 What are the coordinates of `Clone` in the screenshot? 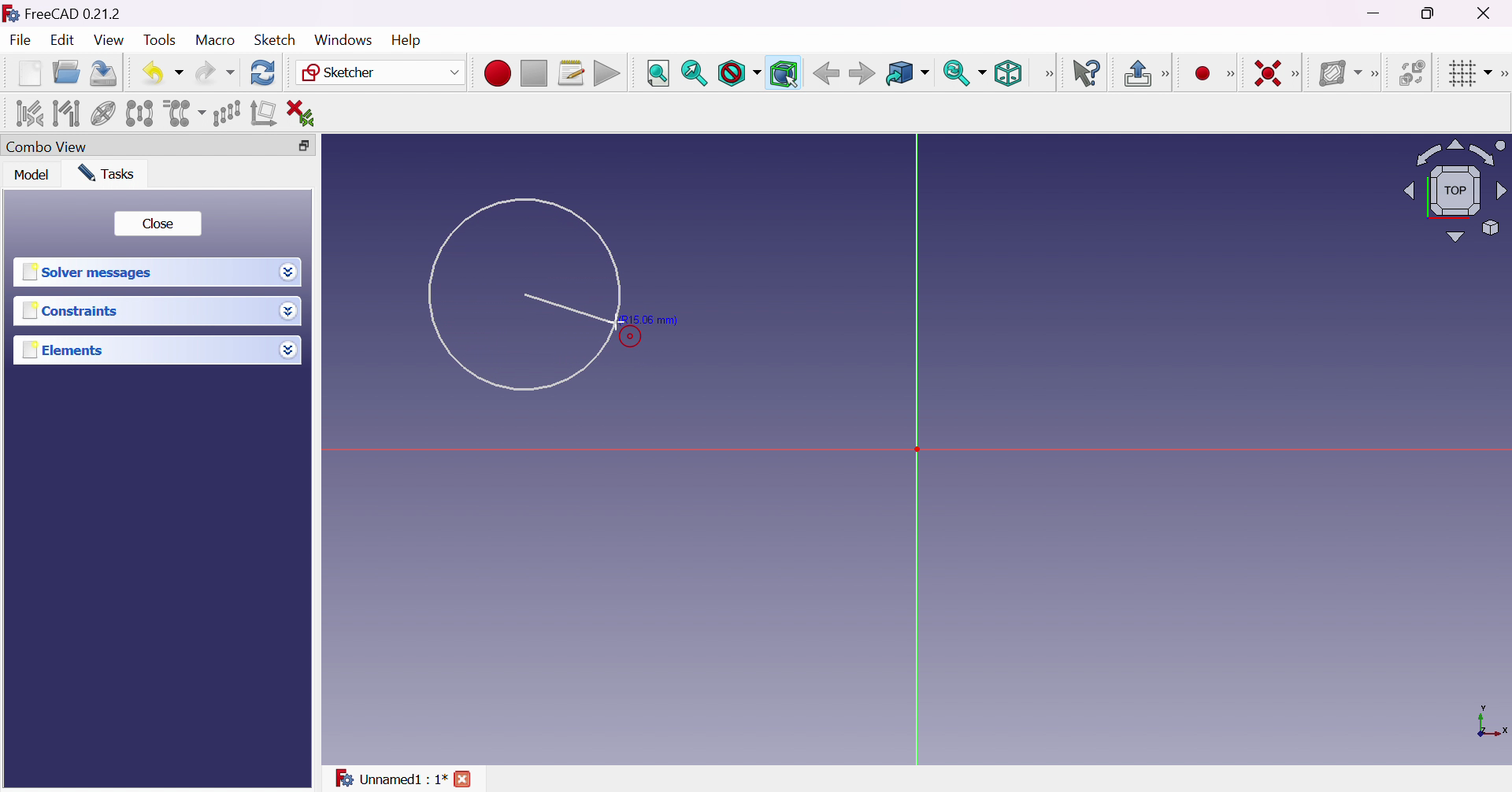 It's located at (183, 112).